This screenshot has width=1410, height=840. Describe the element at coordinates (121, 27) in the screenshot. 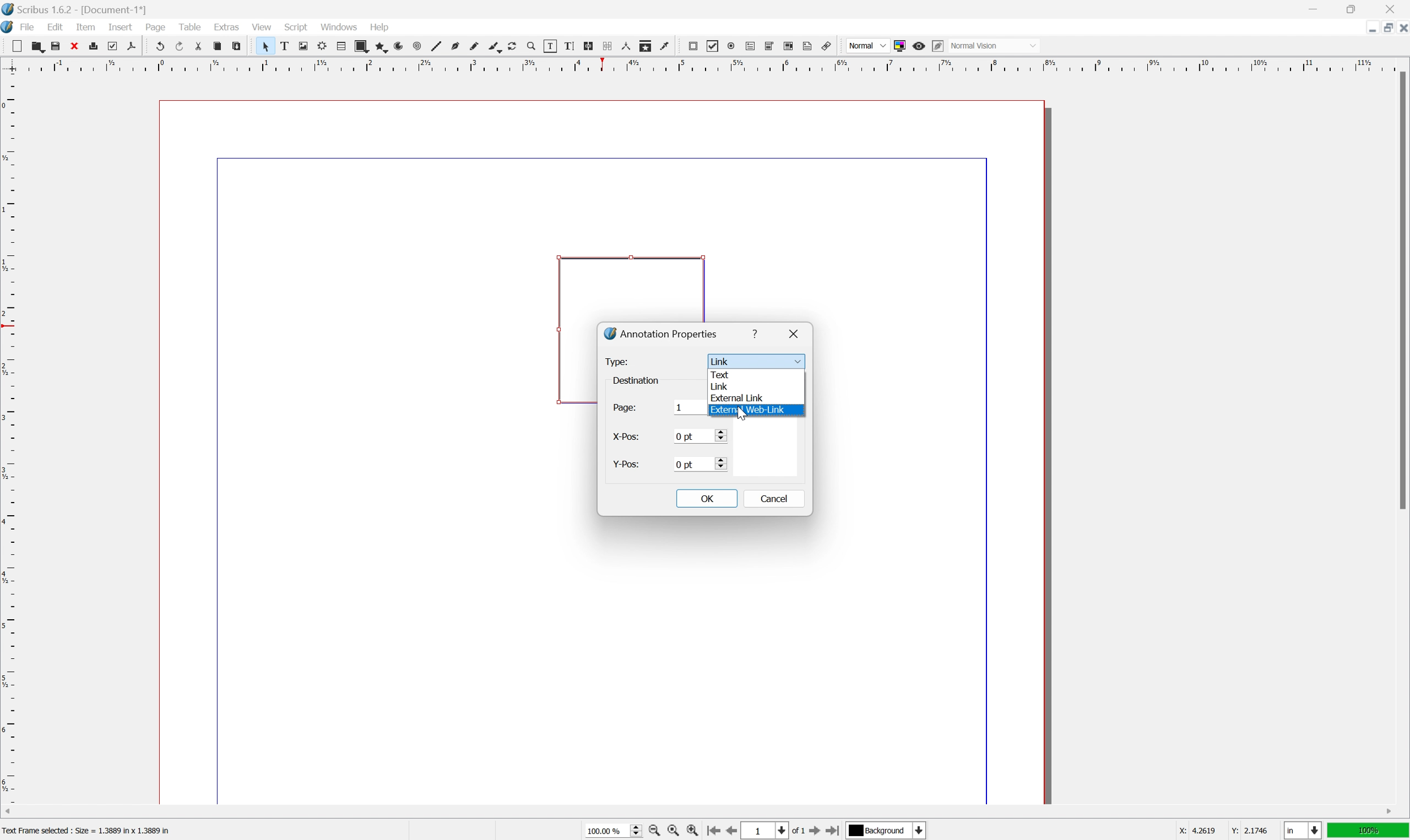

I see `insert` at that location.